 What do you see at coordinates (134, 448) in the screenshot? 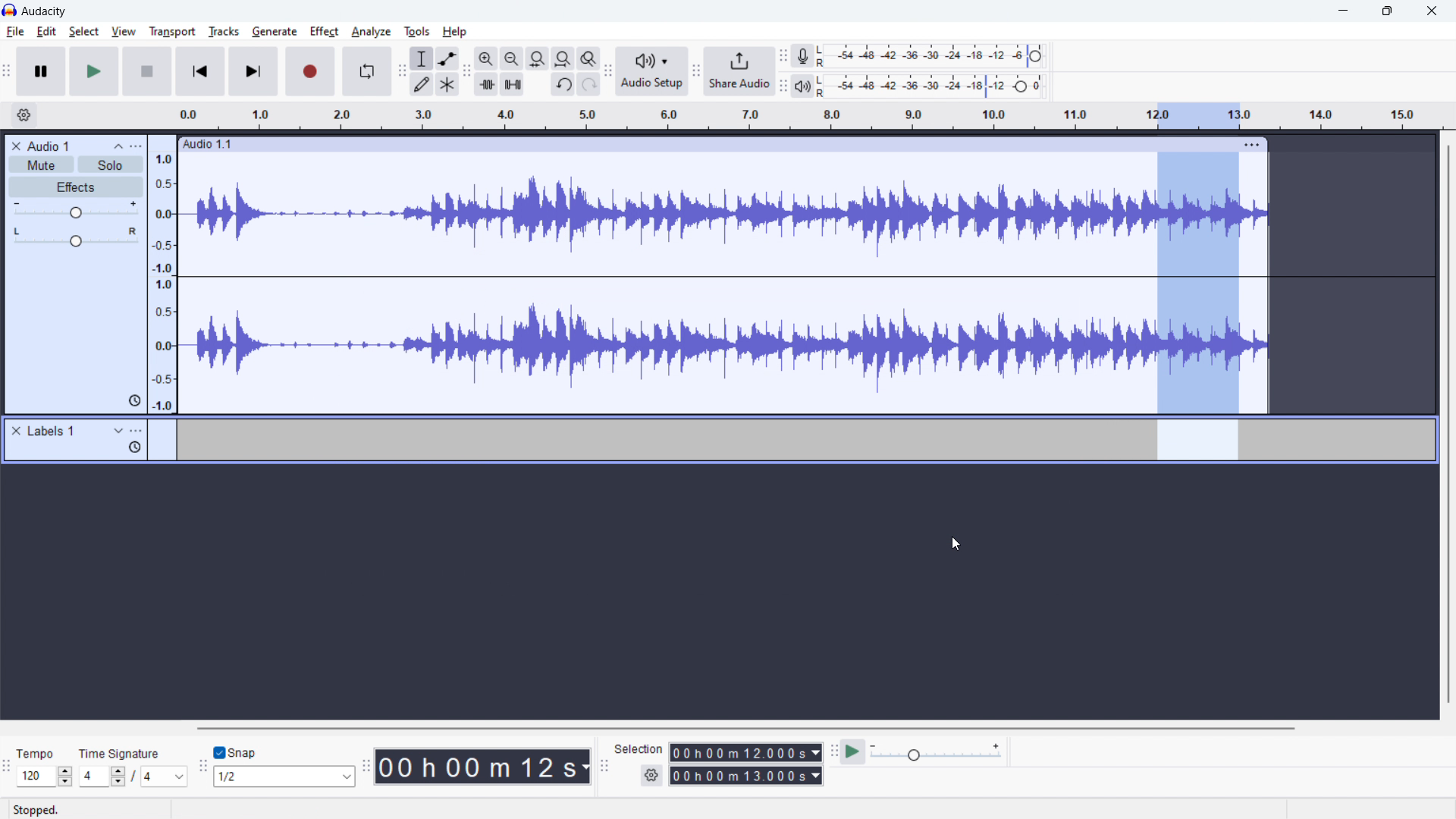
I see `history` at bounding box center [134, 448].